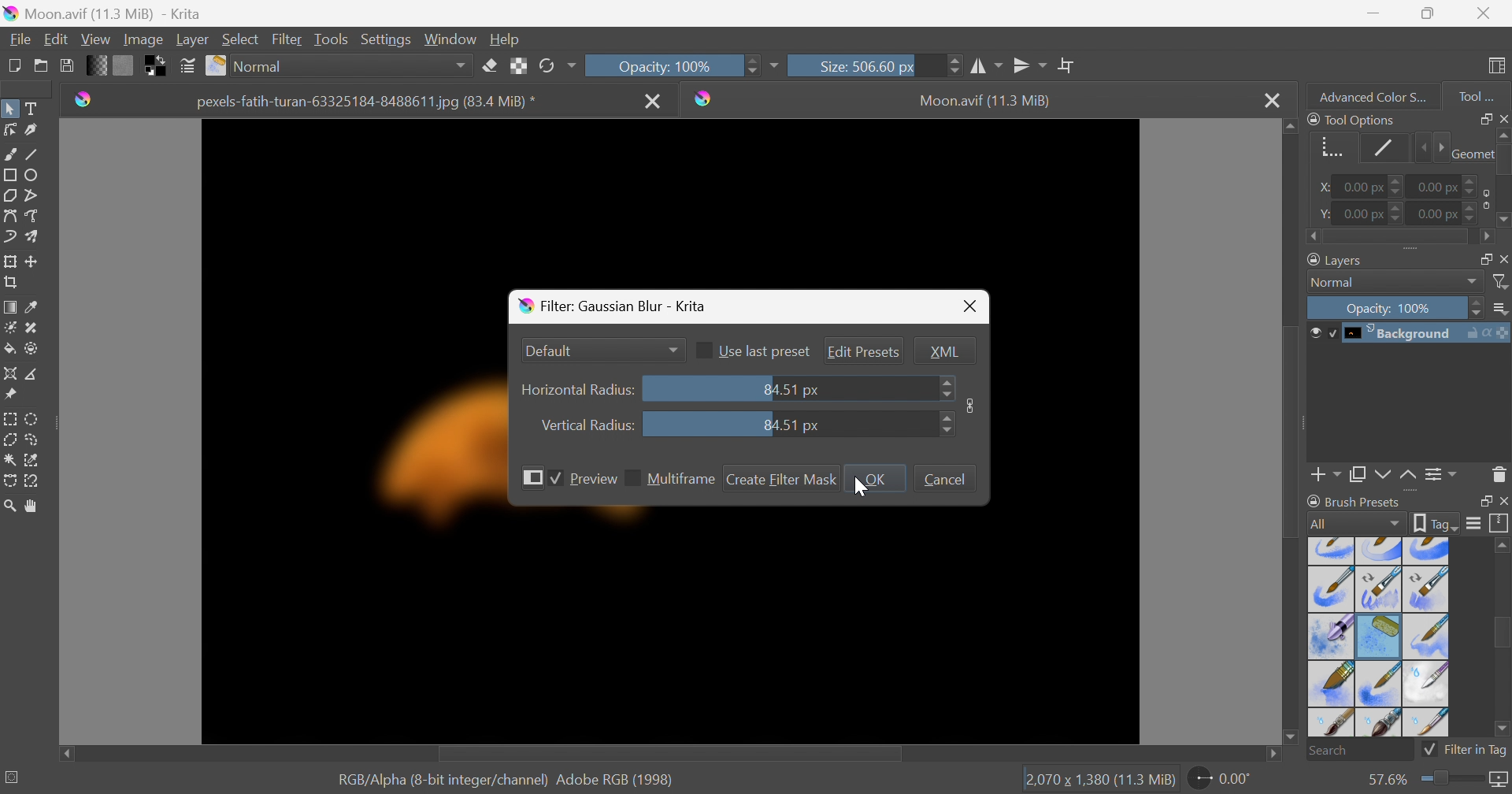 This screenshot has width=1512, height=794. What do you see at coordinates (1477, 97) in the screenshot?
I see `Tool` at bounding box center [1477, 97].